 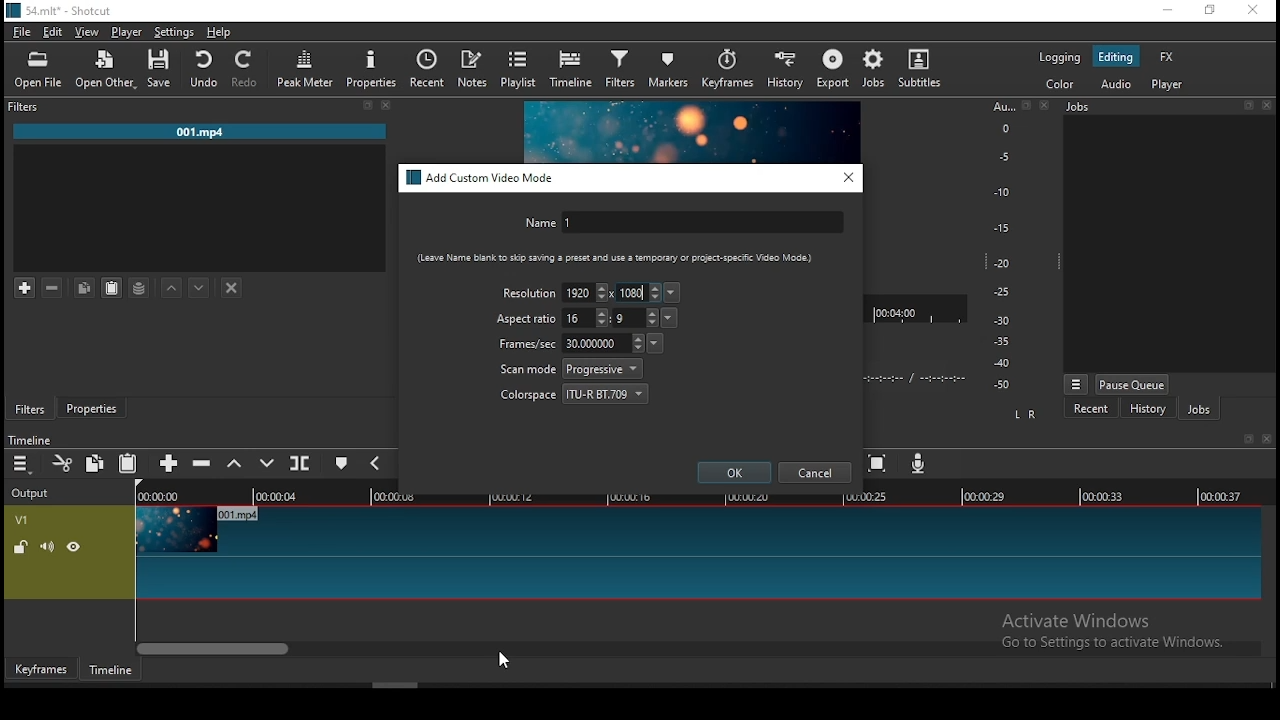 What do you see at coordinates (671, 318) in the screenshot?
I see `aspect ration presets` at bounding box center [671, 318].